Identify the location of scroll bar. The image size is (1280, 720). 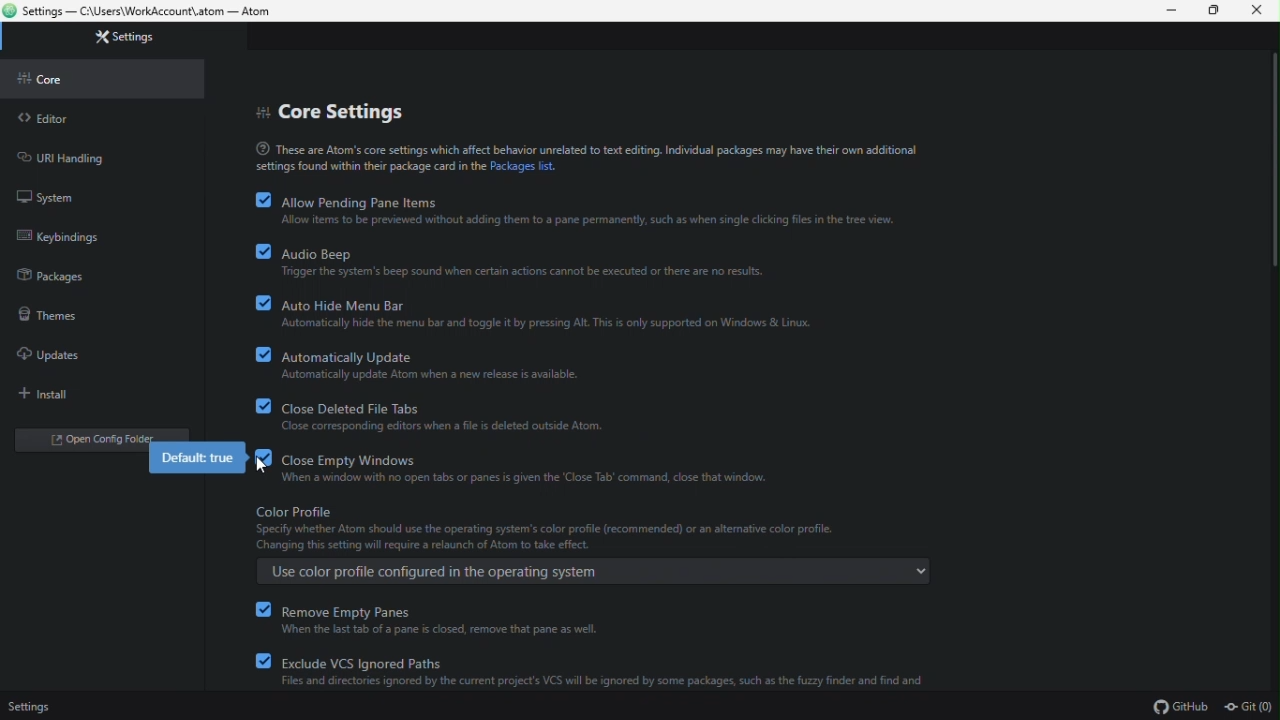
(1271, 169).